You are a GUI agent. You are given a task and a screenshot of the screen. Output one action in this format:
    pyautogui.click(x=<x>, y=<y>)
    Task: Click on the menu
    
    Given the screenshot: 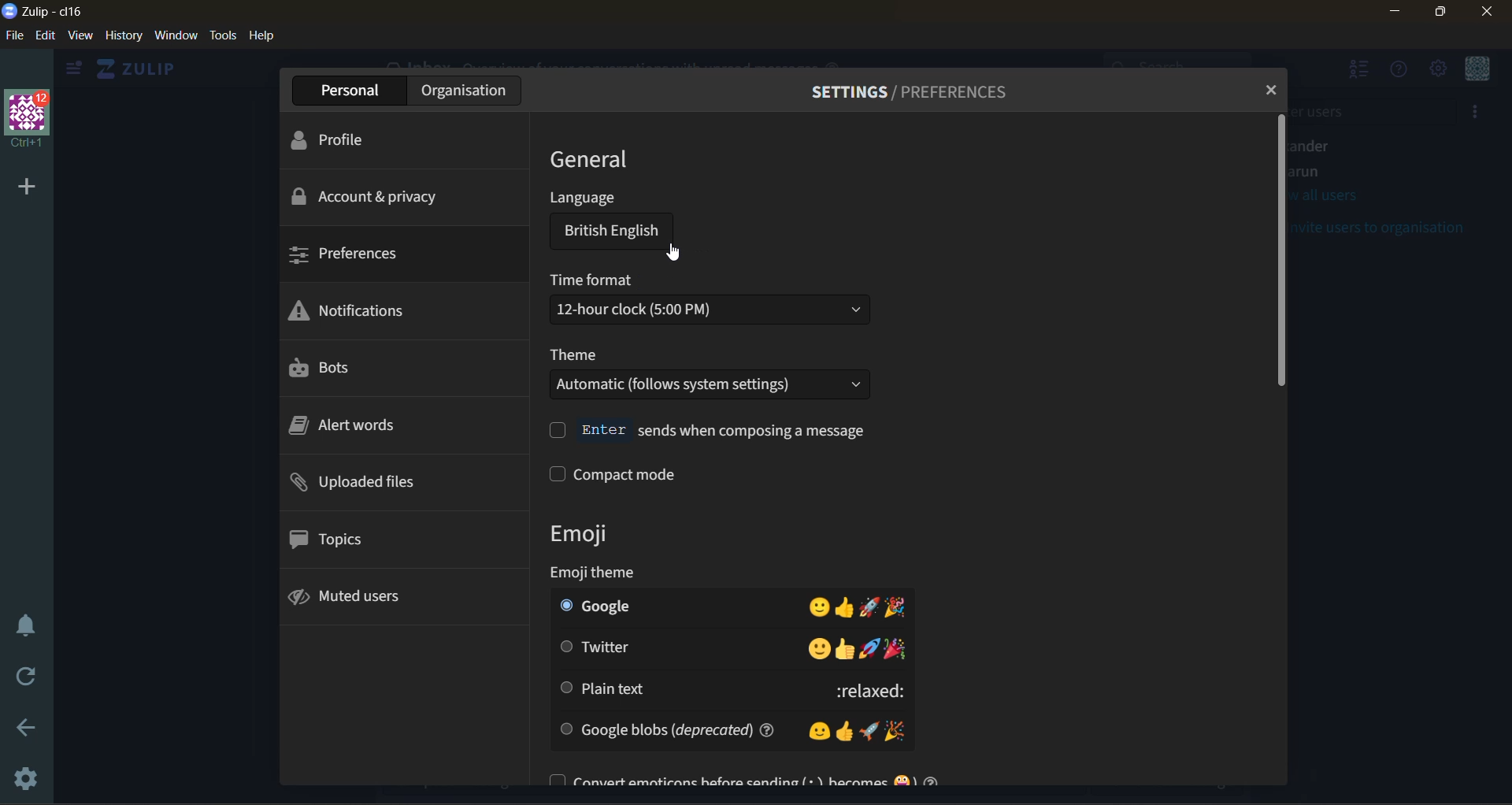 What is the action you would take?
    pyautogui.click(x=1477, y=72)
    